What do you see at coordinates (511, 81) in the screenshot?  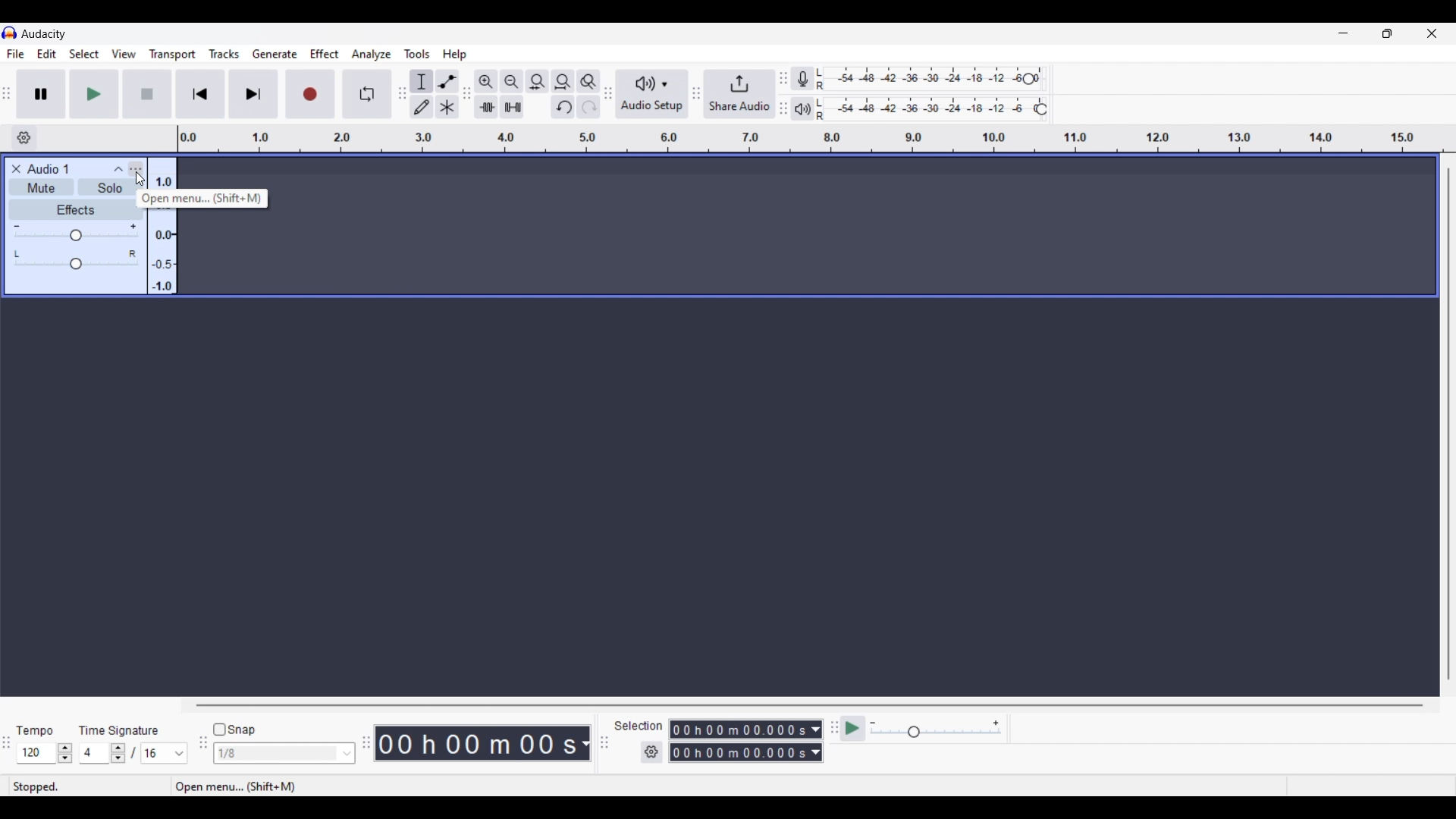 I see `Zoom out` at bounding box center [511, 81].